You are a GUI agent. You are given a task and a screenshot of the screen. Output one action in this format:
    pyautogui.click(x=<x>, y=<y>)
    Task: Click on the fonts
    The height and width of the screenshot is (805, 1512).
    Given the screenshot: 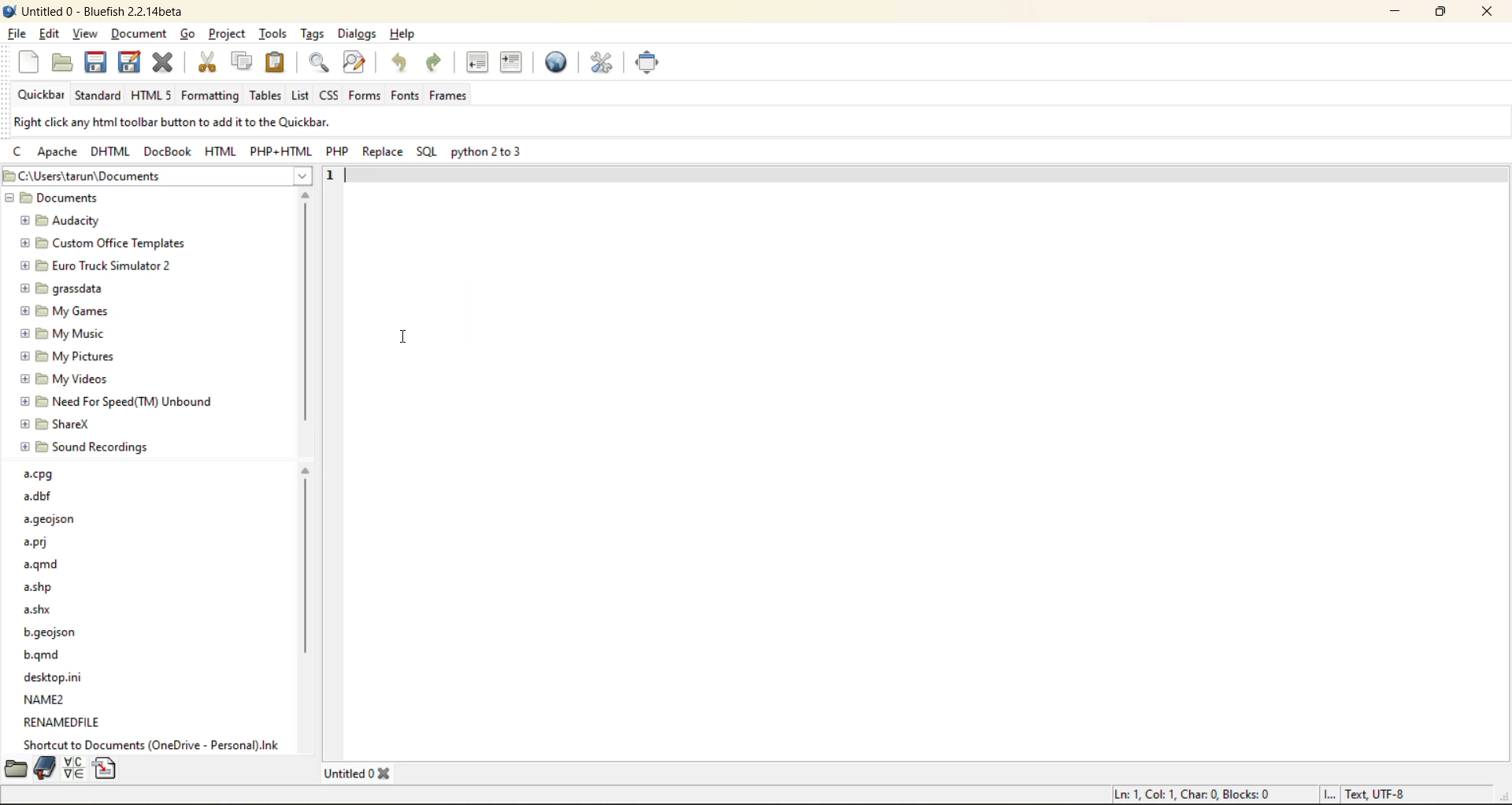 What is the action you would take?
    pyautogui.click(x=405, y=96)
    